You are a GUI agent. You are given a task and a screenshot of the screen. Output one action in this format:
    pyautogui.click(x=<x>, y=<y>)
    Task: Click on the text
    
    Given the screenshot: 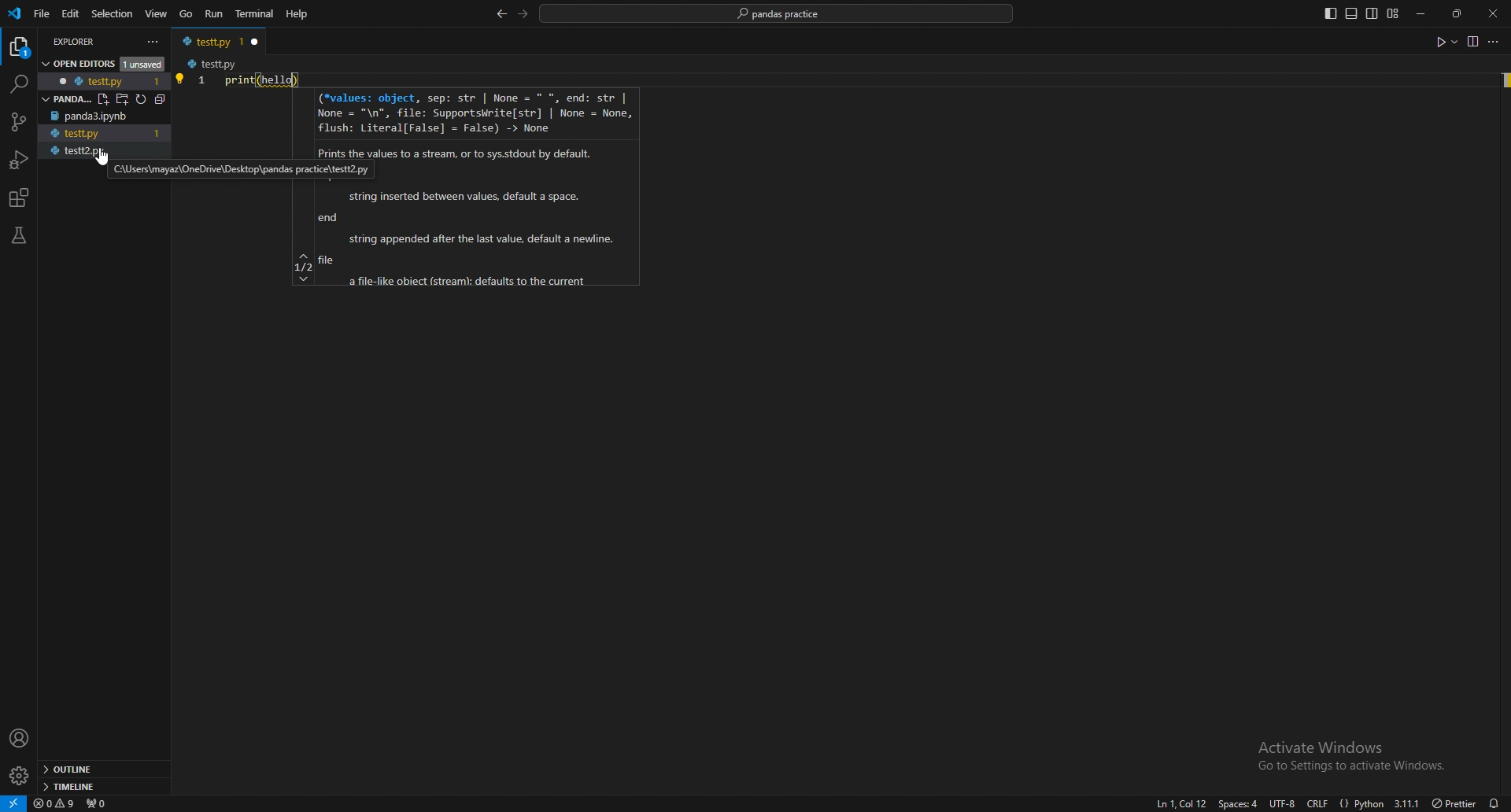 What is the action you would take?
    pyautogui.click(x=257, y=79)
    